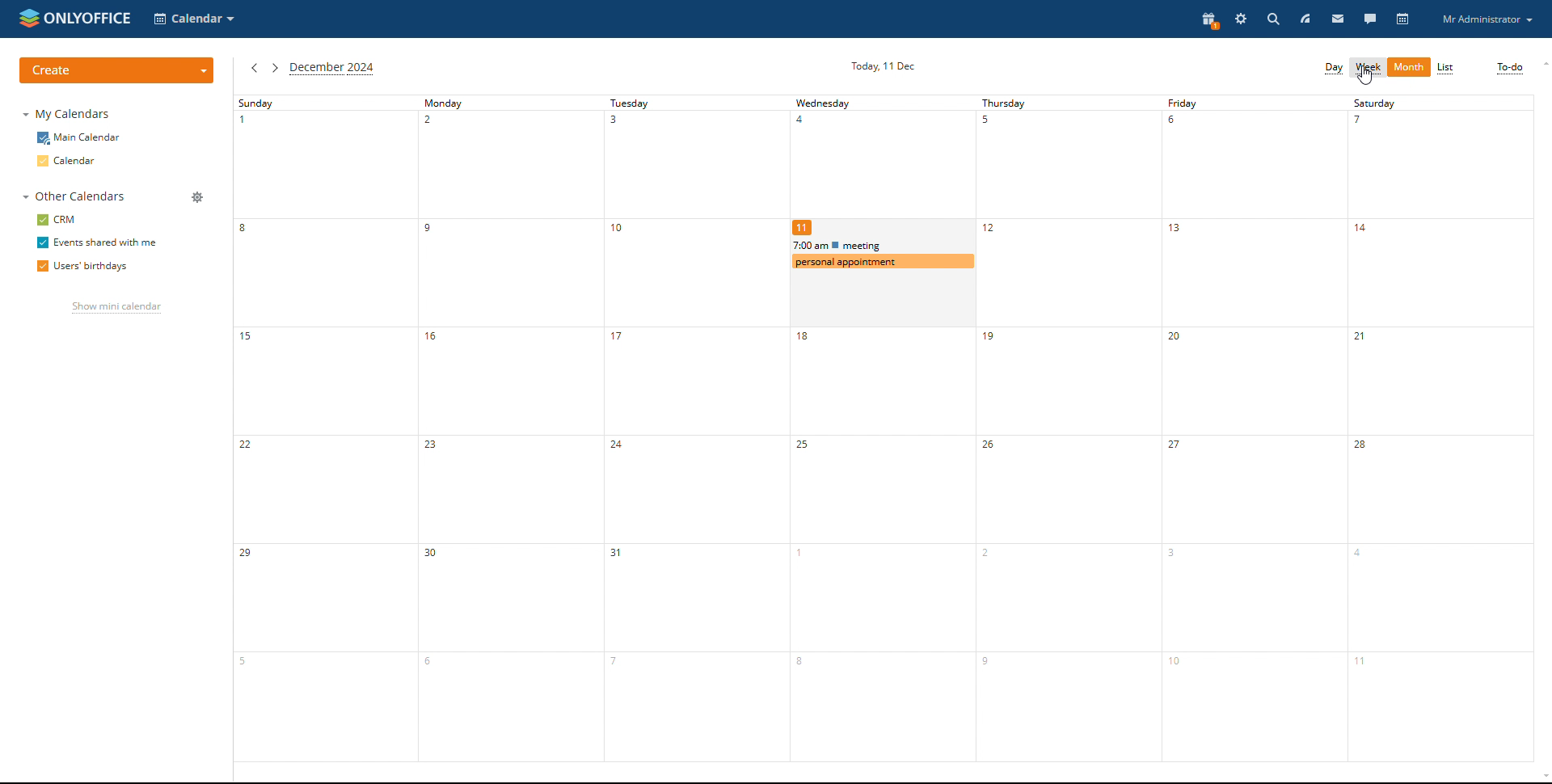 This screenshot has height=784, width=1552. Describe the element at coordinates (255, 68) in the screenshot. I see `previous month` at that location.